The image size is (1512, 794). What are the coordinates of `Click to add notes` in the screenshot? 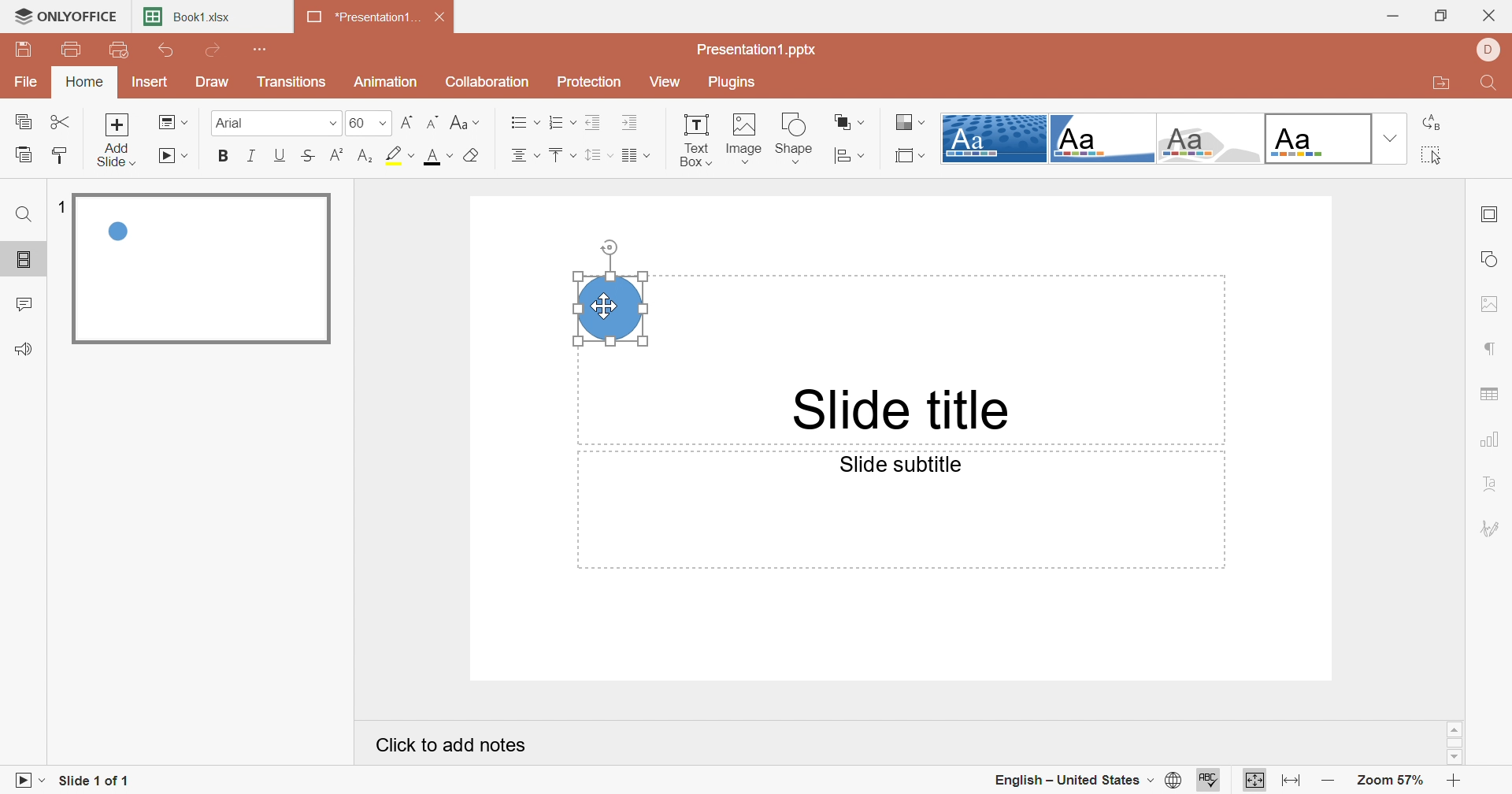 It's located at (454, 744).